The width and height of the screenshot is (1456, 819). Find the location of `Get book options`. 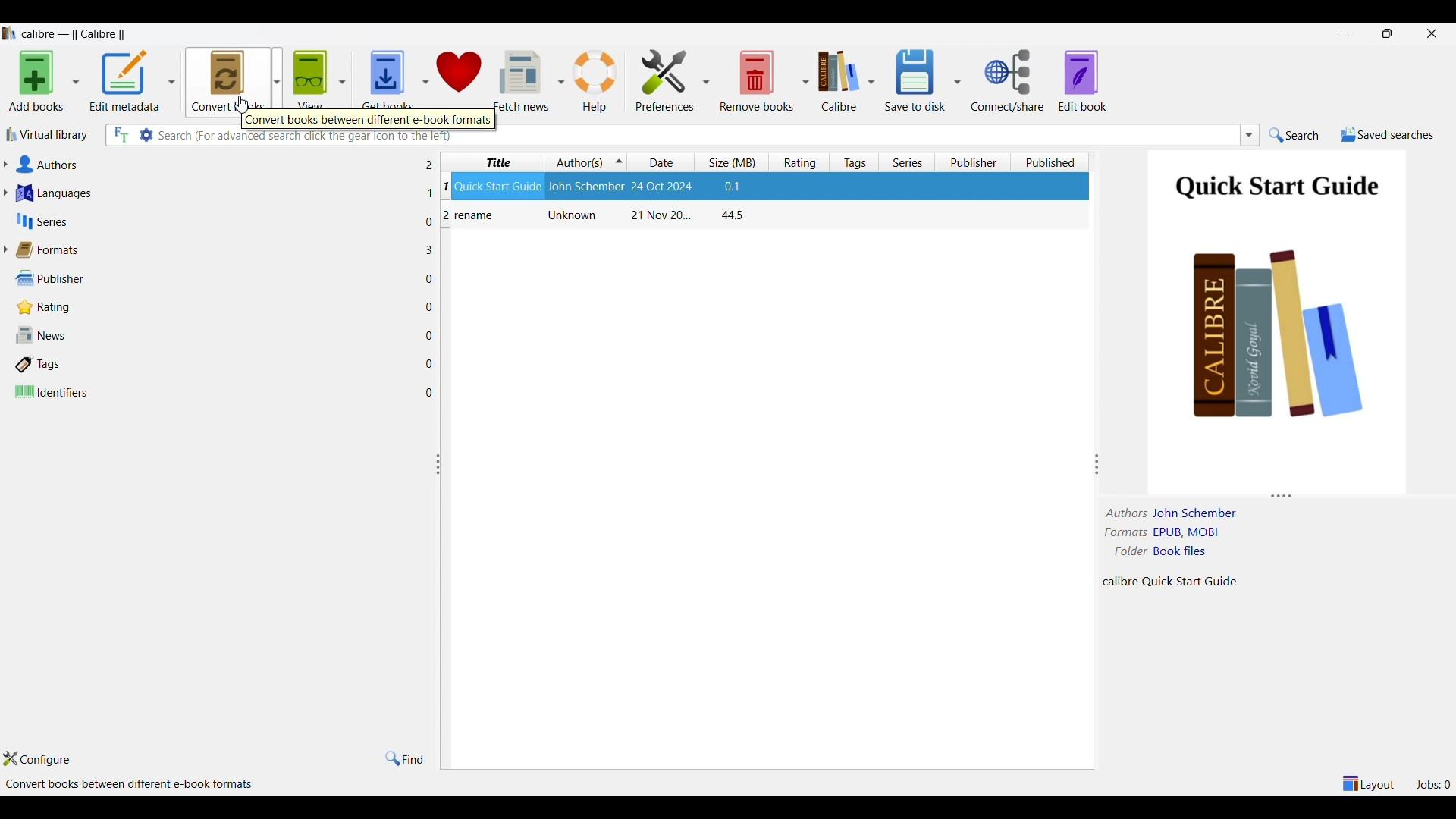

Get book options is located at coordinates (424, 82).